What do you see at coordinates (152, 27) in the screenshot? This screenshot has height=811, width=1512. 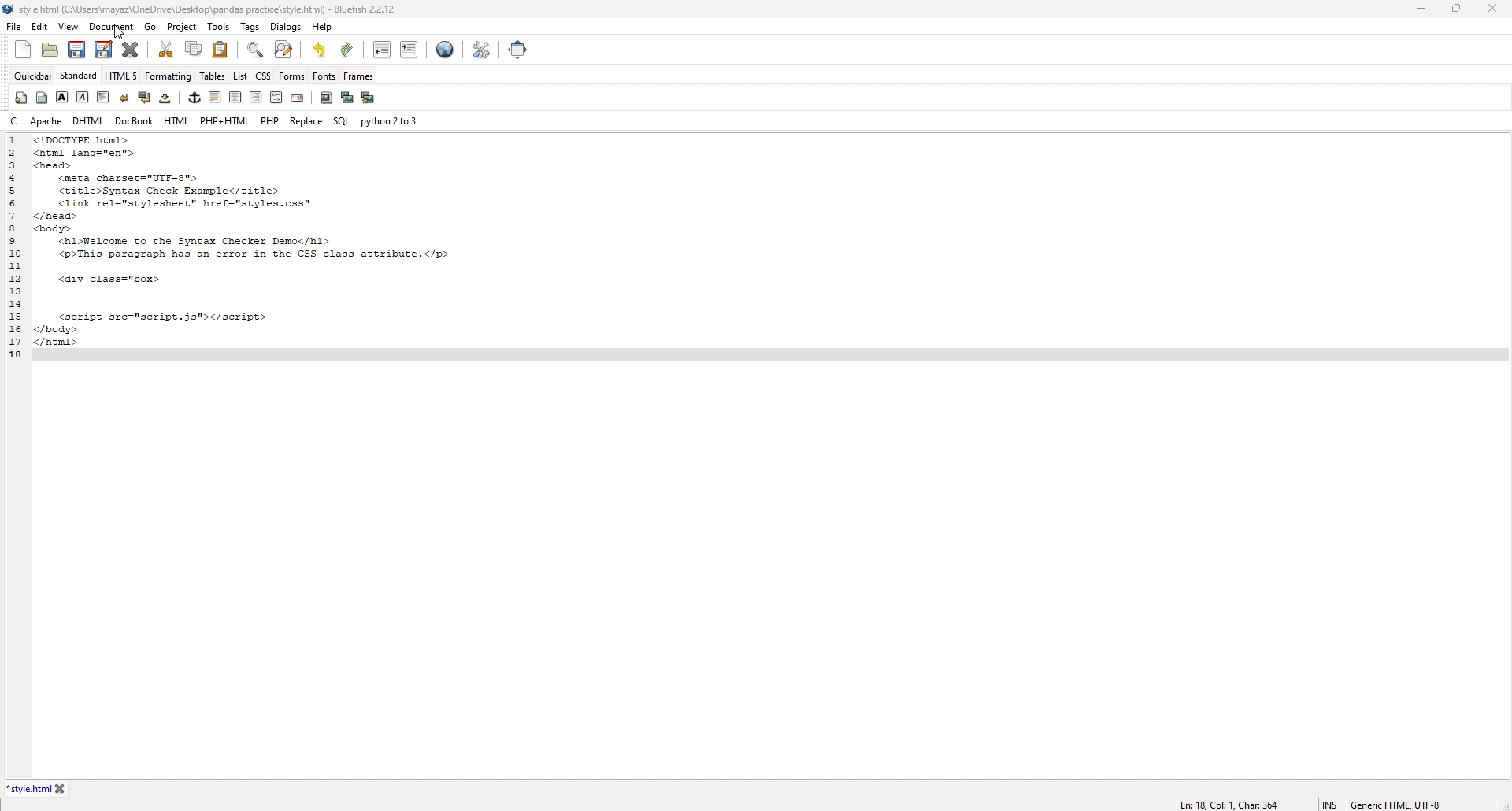 I see `go` at bounding box center [152, 27].